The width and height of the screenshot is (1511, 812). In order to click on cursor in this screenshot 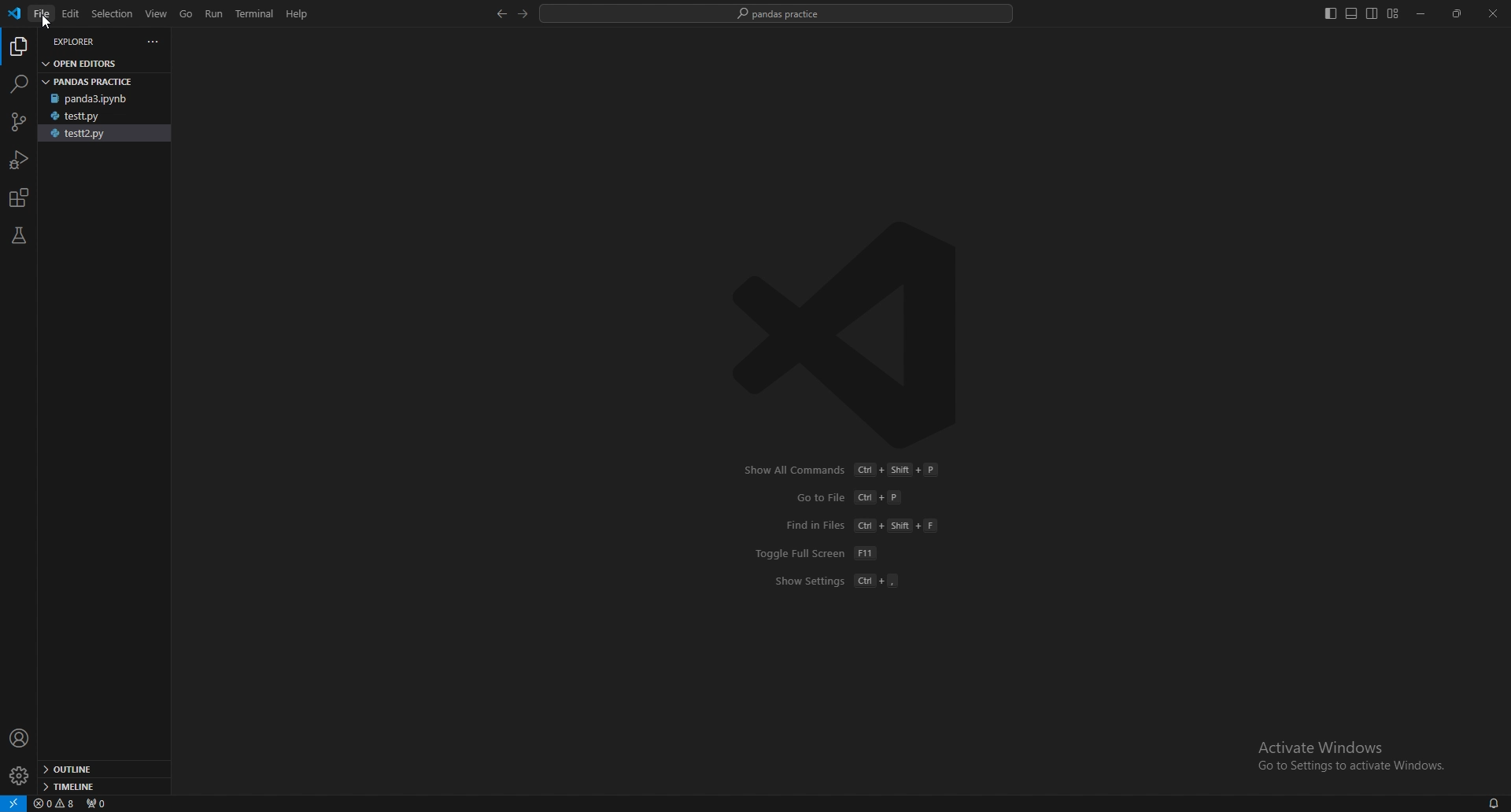, I will do `click(46, 24)`.